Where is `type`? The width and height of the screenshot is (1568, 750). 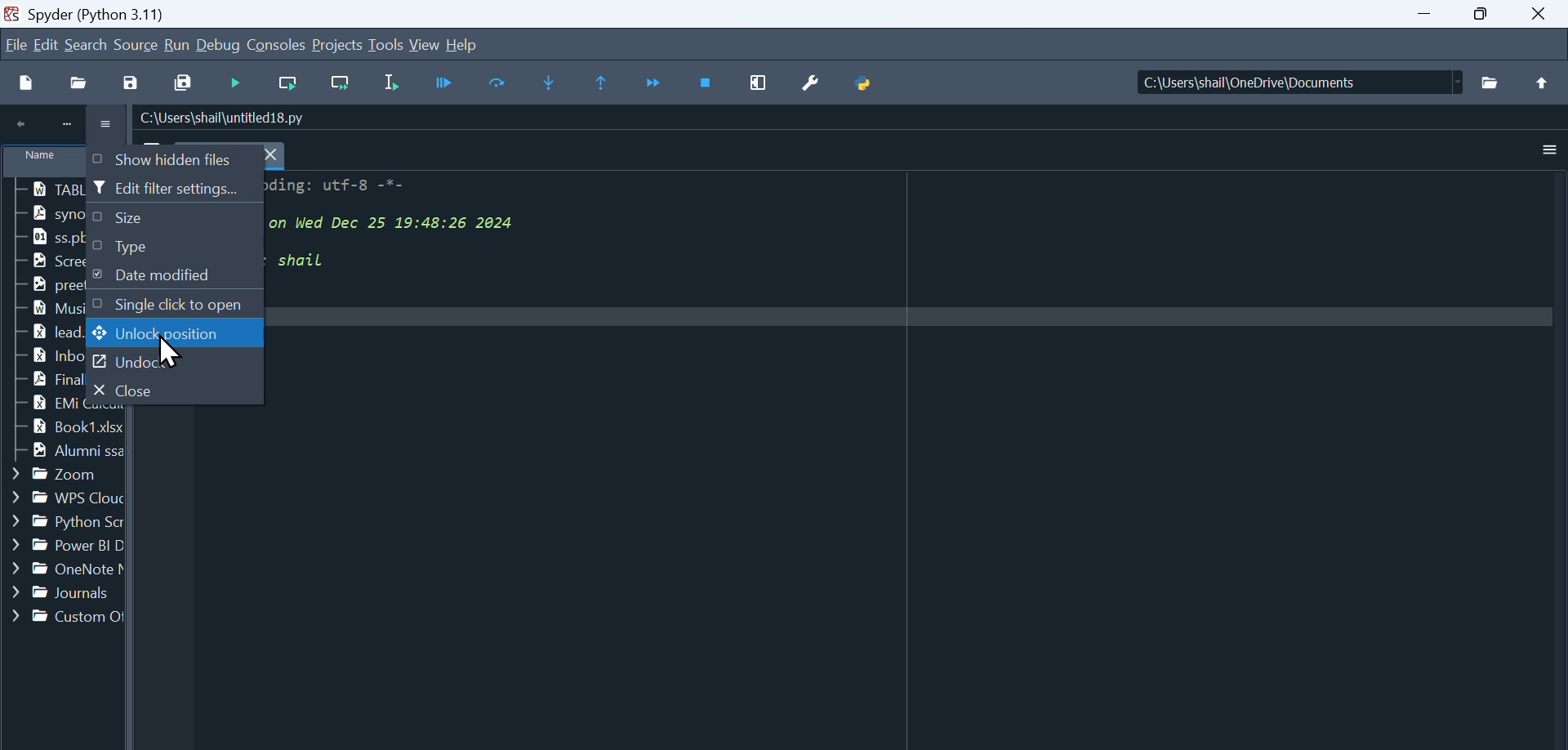 type is located at coordinates (172, 248).